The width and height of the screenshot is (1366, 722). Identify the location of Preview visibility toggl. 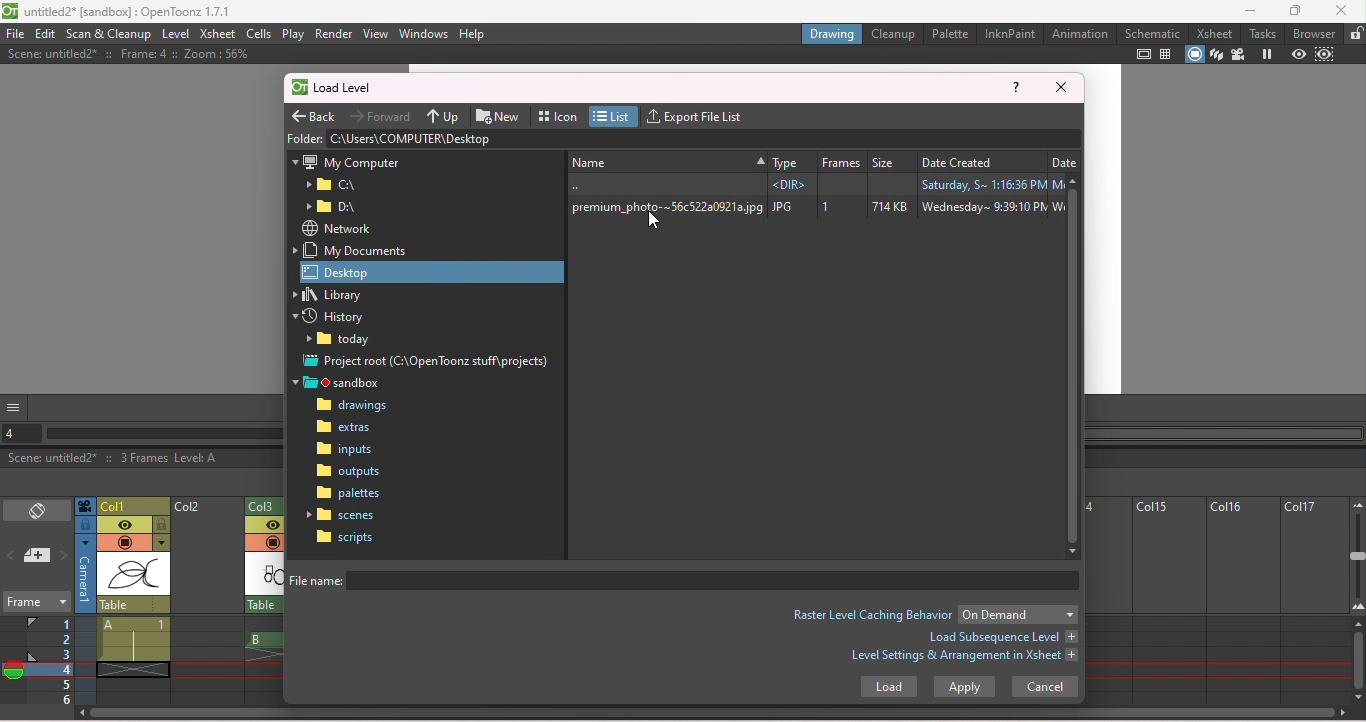
(263, 526).